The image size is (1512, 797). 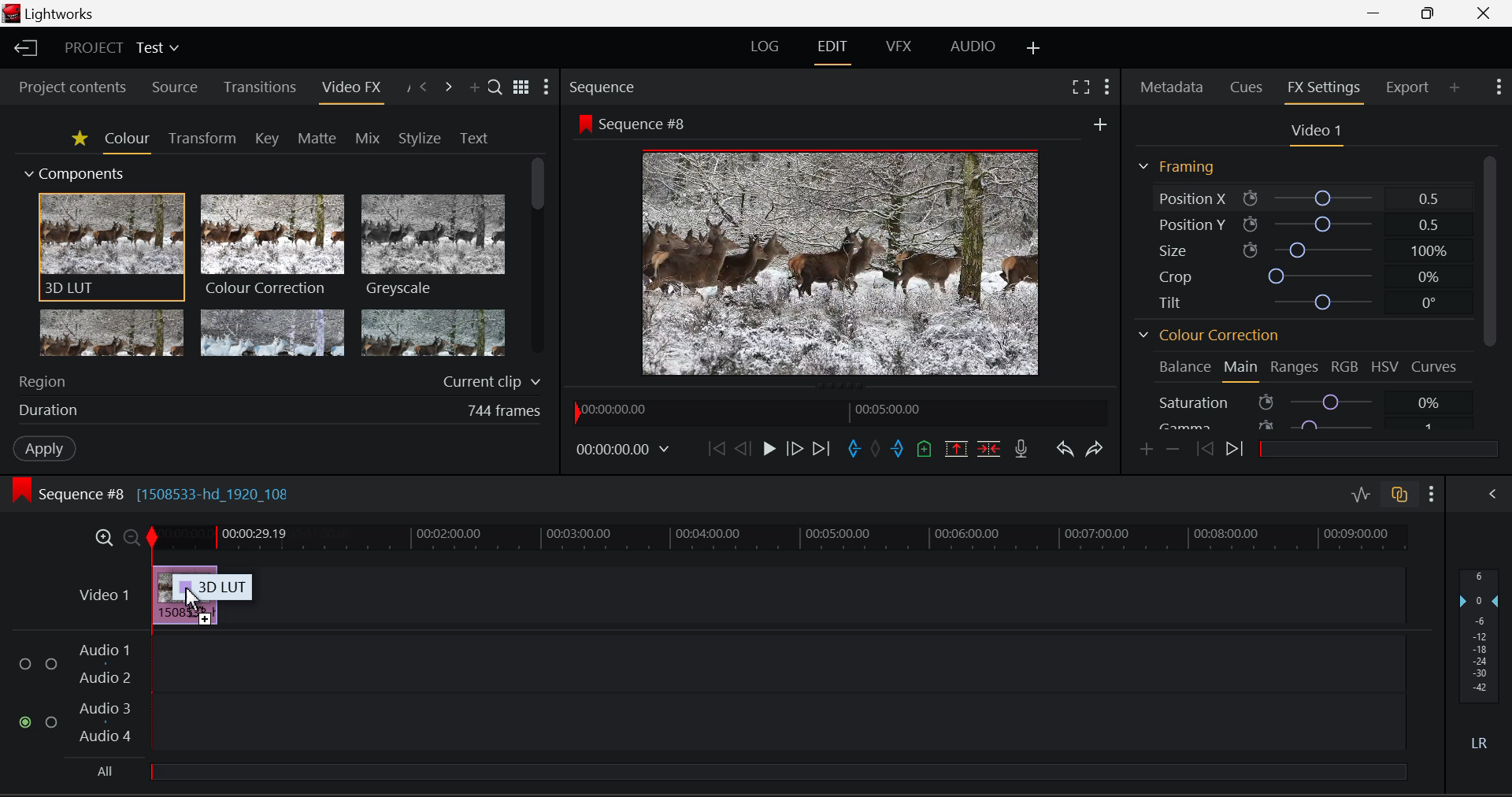 I want to click on Video Layer, so click(x=103, y=595).